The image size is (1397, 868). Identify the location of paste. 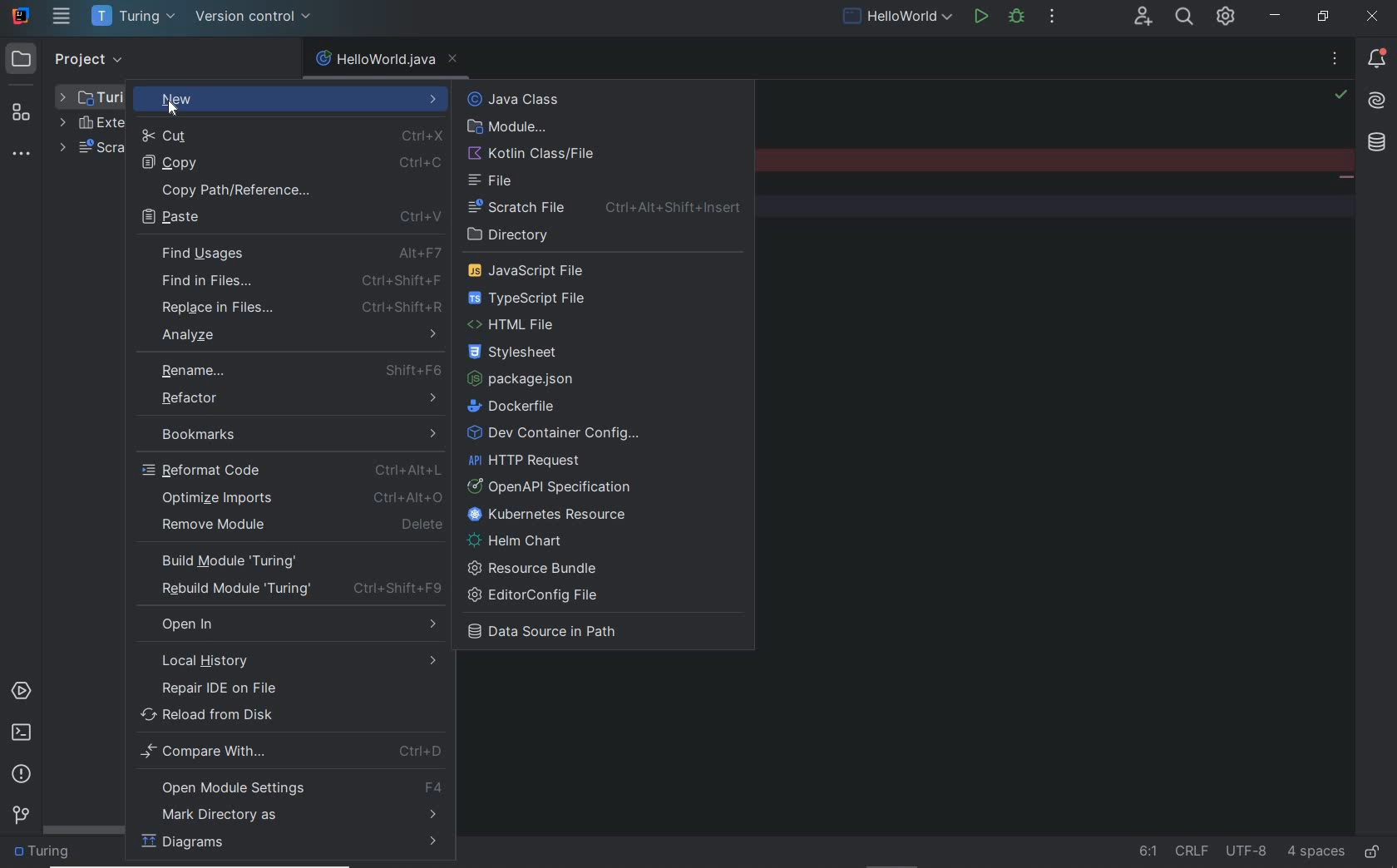
(290, 218).